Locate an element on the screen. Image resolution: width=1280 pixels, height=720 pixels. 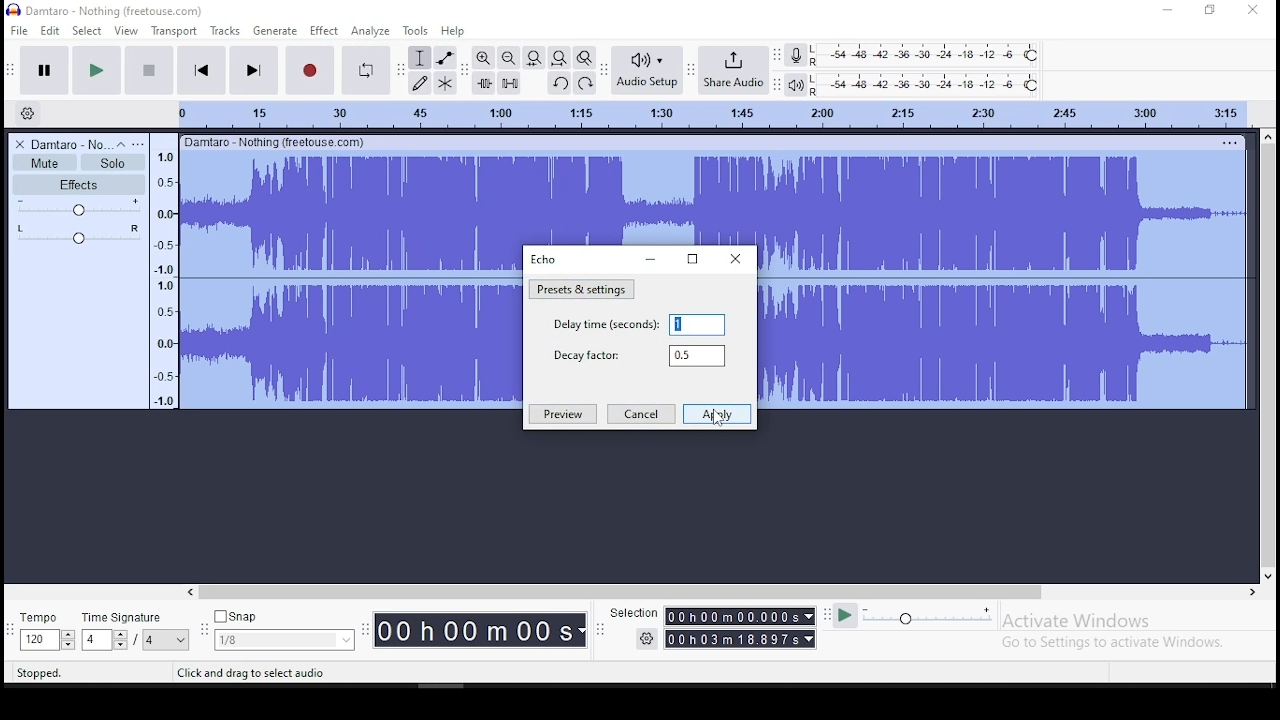
Maximize is located at coordinates (1210, 12).